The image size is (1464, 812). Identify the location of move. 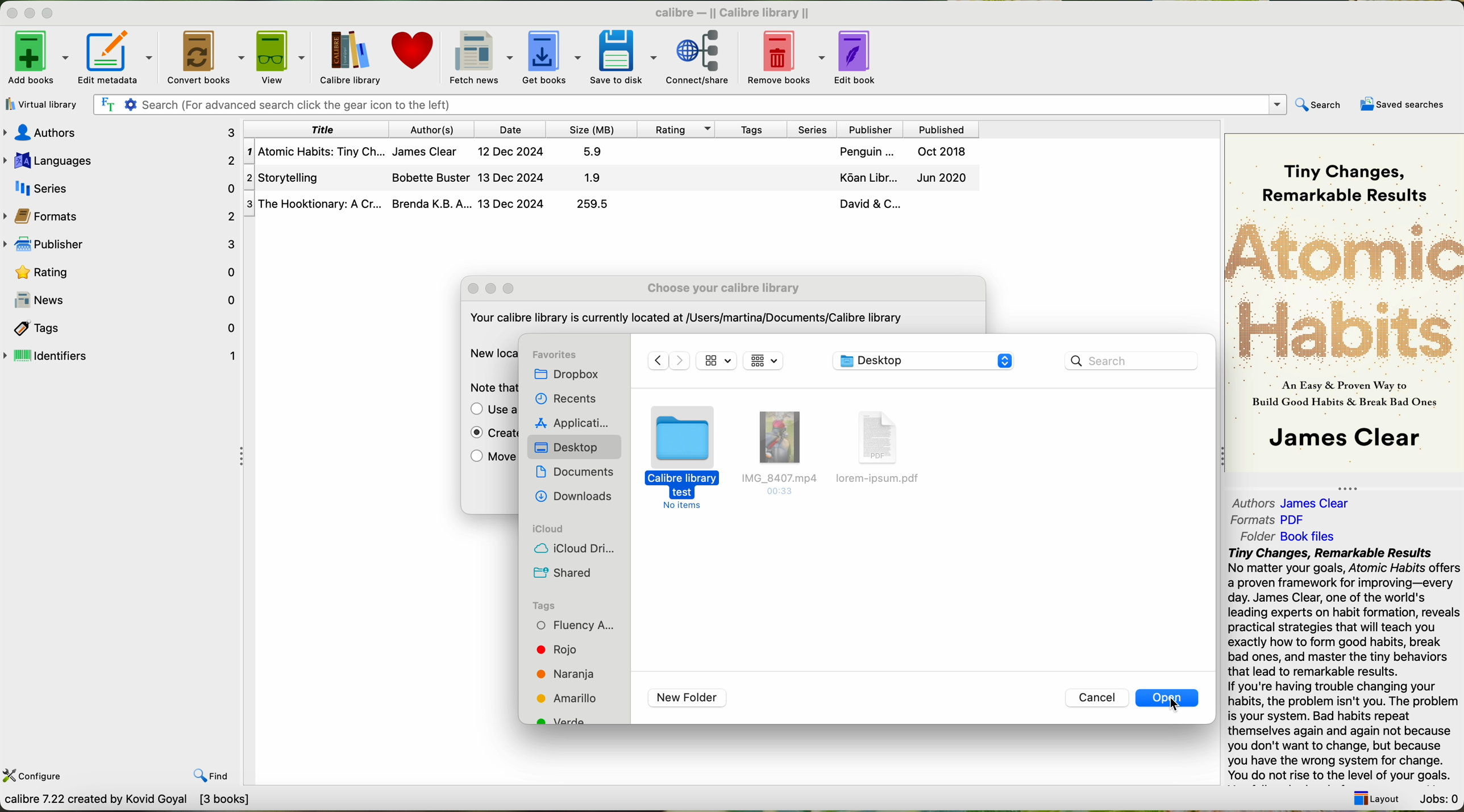
(490, 410).